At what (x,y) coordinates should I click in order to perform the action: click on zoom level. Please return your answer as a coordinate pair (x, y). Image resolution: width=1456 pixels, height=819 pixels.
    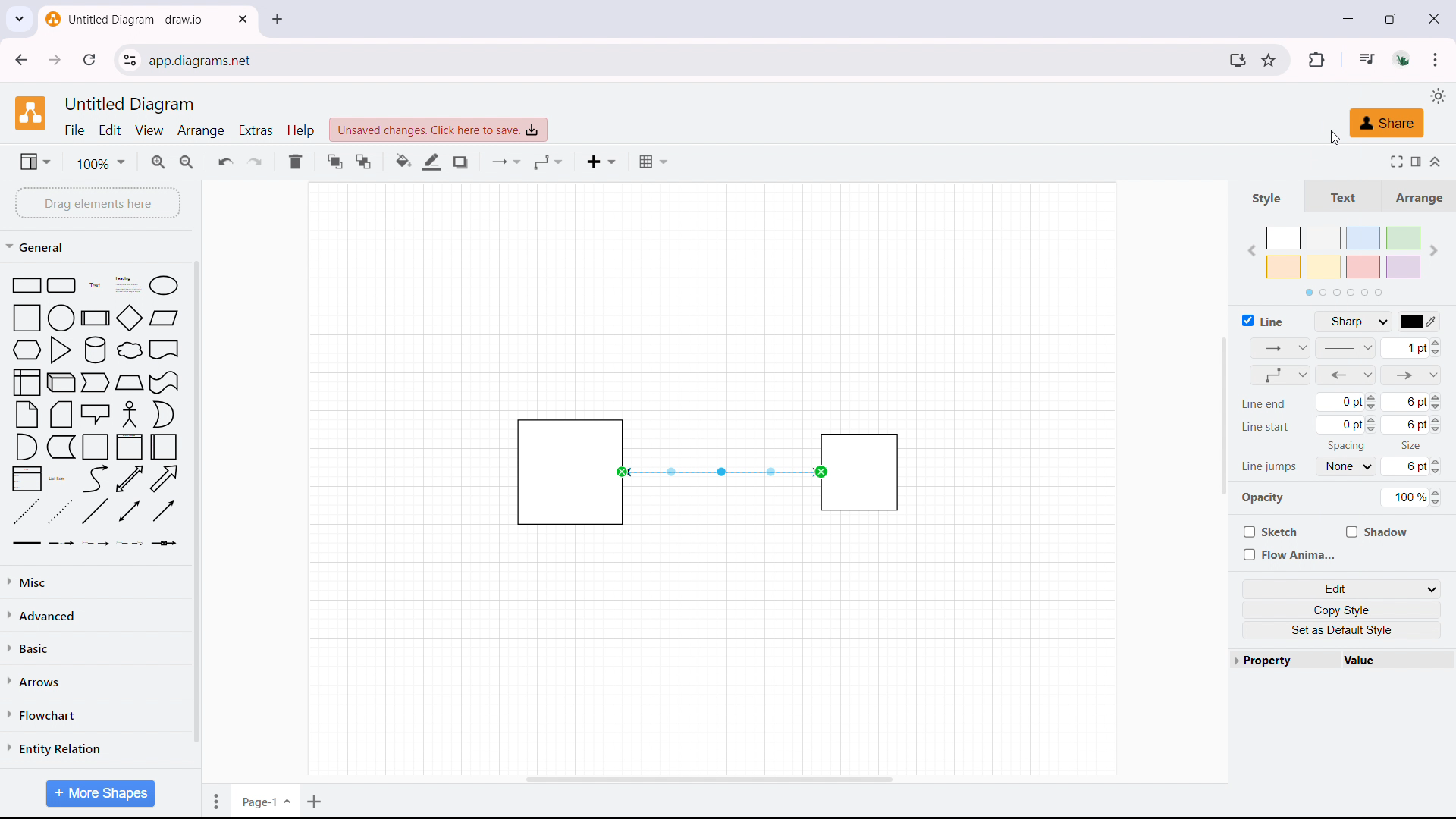
    Looking at the image, I should click on (100, 163).